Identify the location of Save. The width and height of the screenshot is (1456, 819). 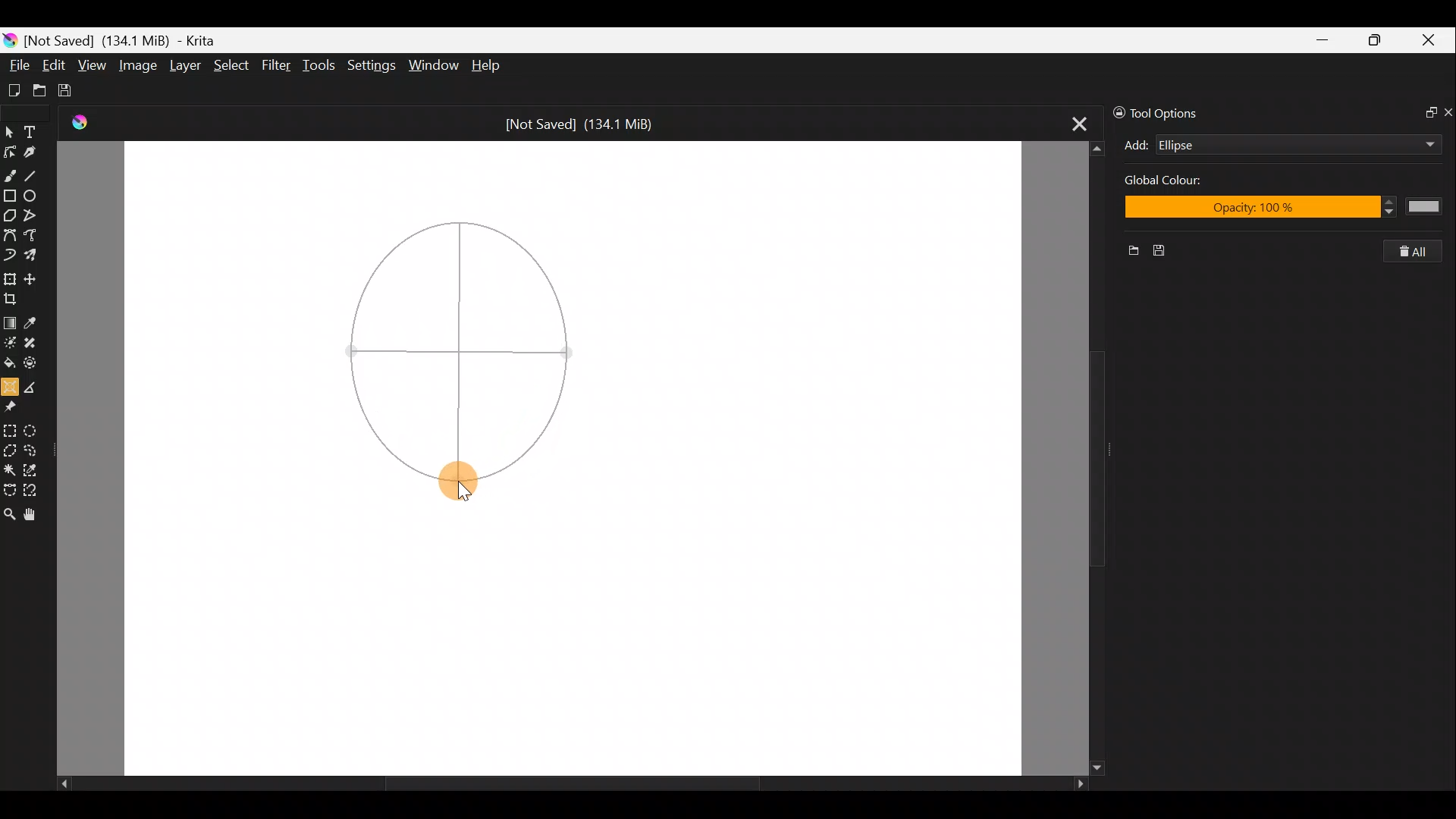
(1168, 251).